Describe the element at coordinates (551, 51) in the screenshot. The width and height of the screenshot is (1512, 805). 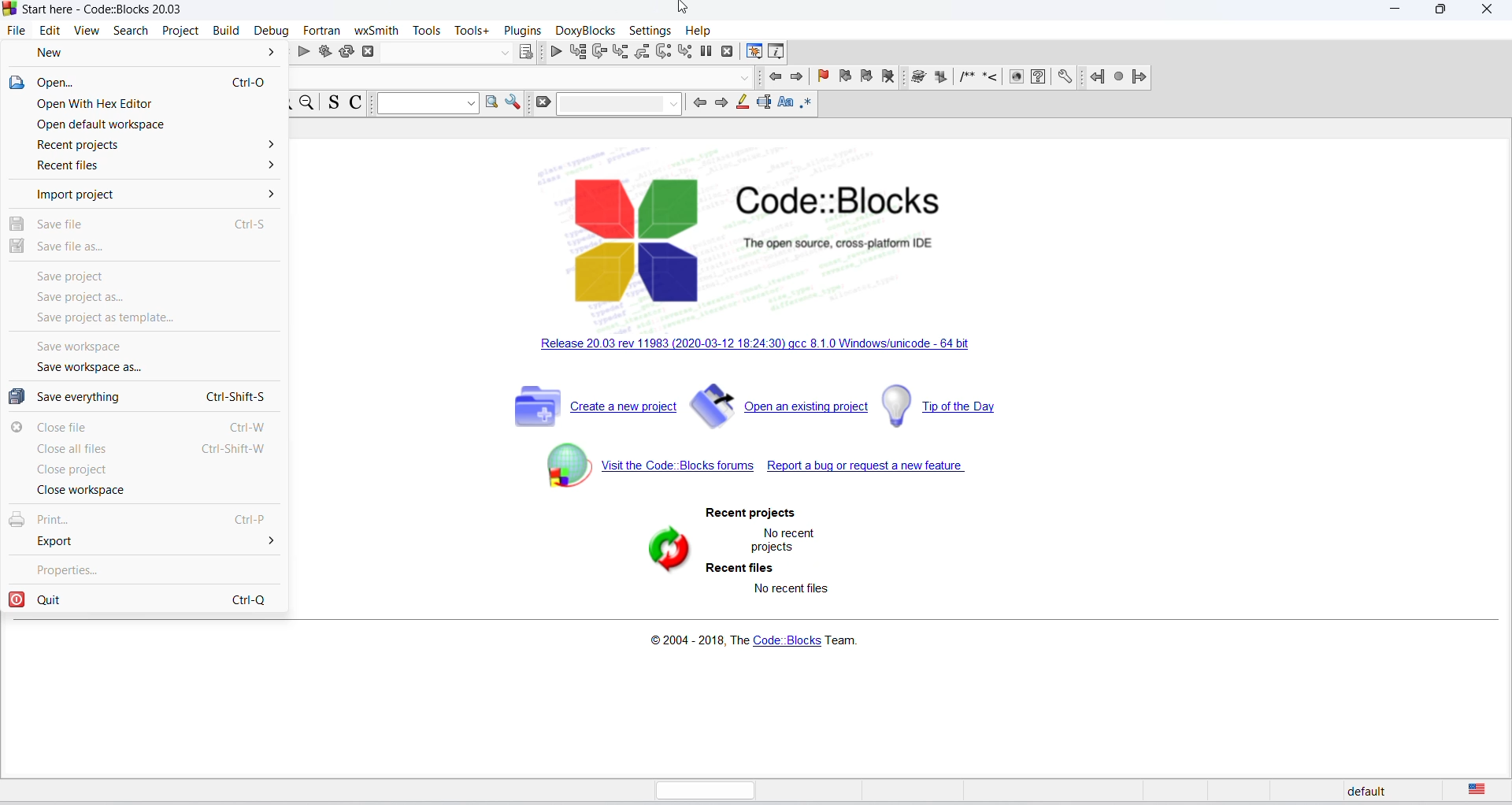
I see `debug/continue` at that location.